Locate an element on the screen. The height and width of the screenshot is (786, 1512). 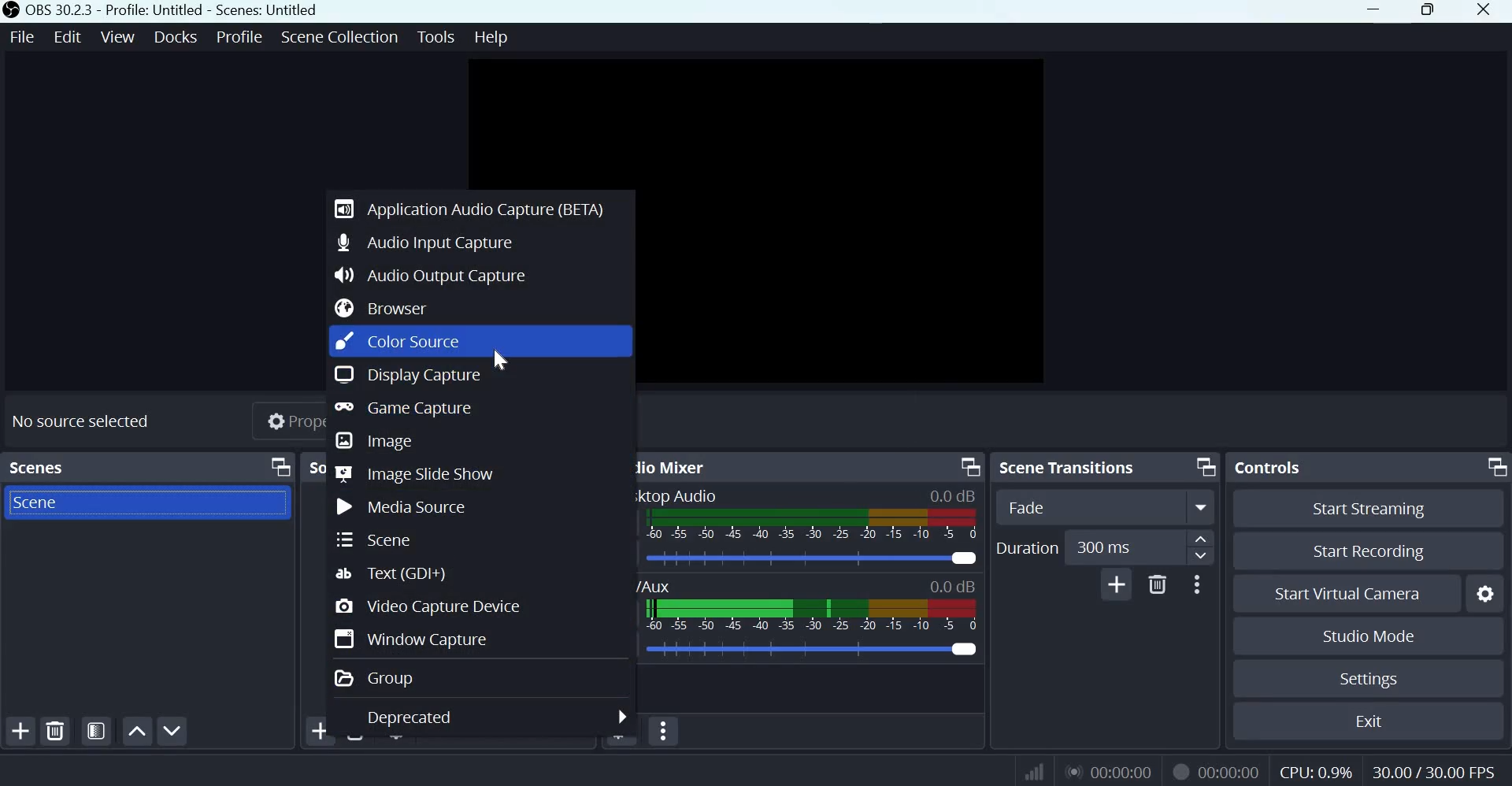
Dock Options icon is located at coordinates (1493, 465).